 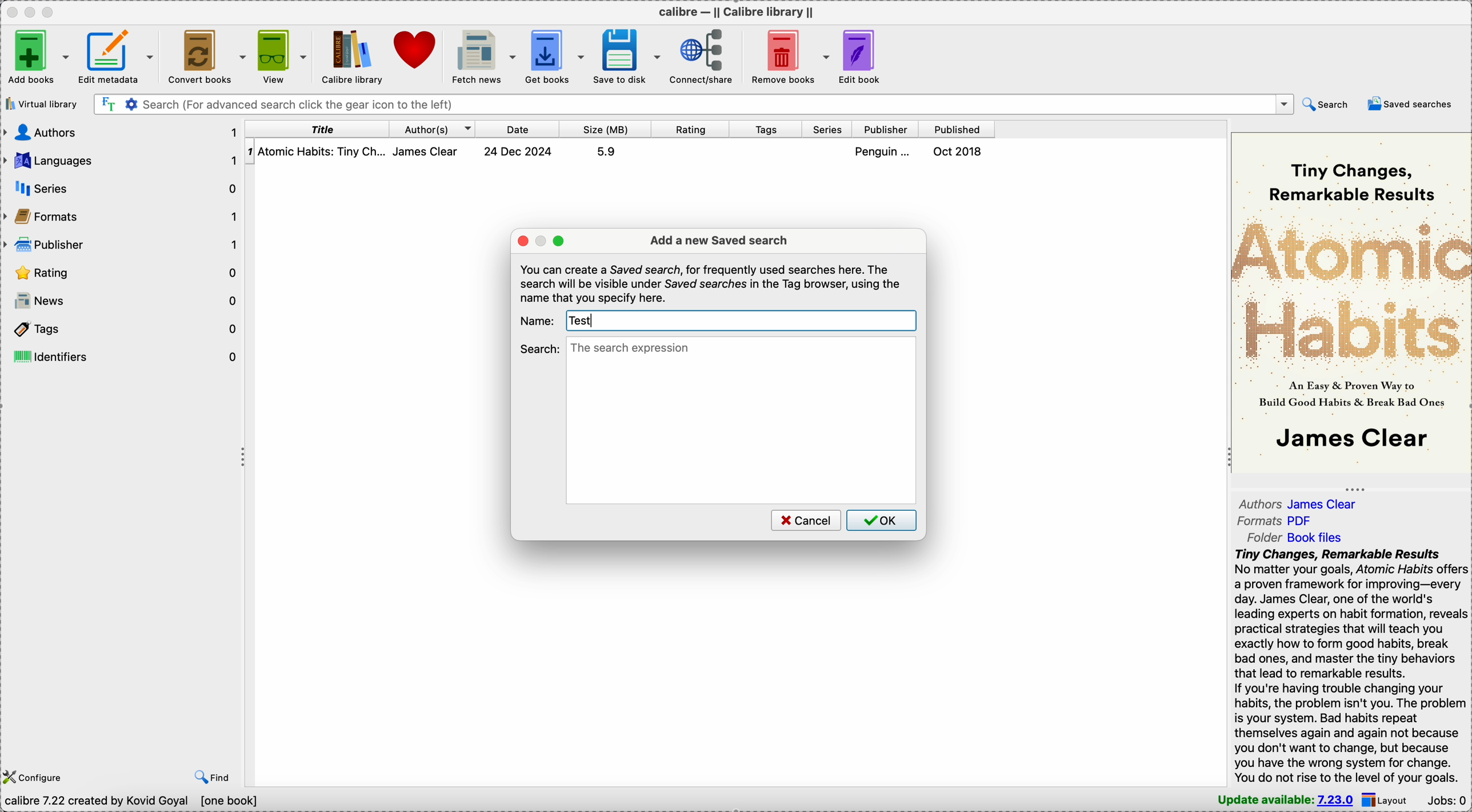 I want to click on edit metadata, so click(x=118, y=54).